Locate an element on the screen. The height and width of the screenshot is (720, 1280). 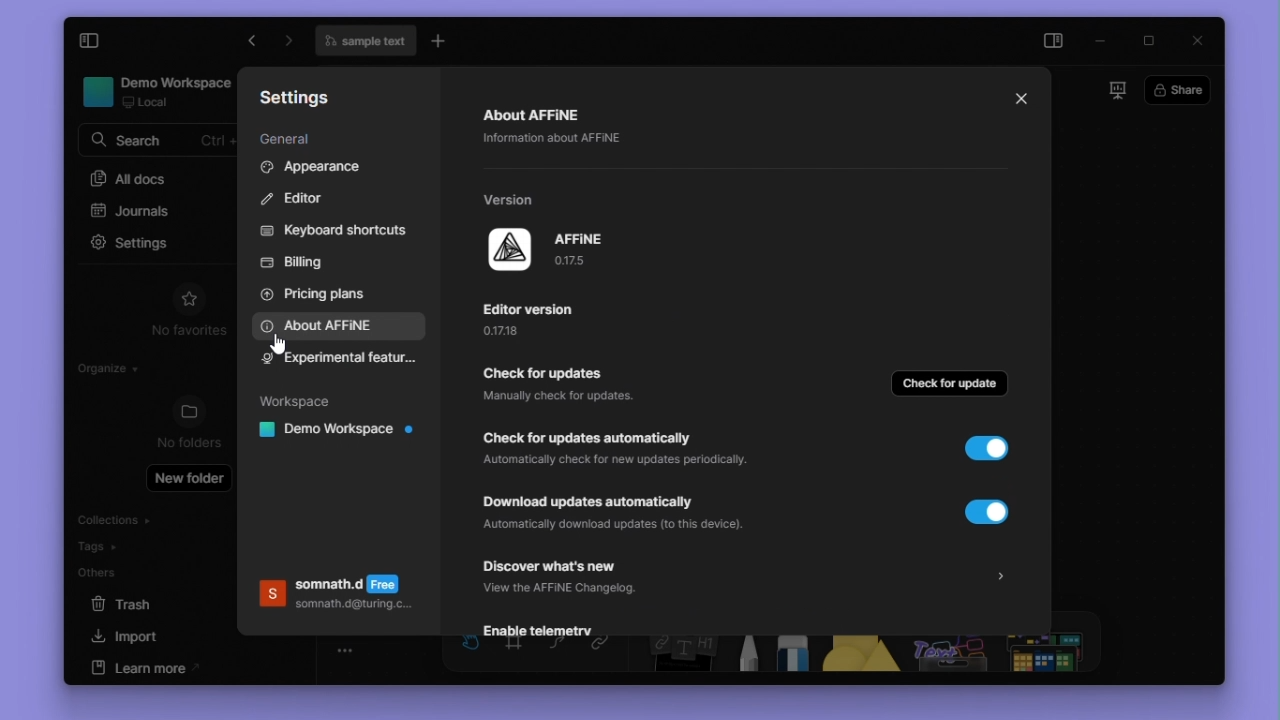
side panel is located at coordinates (1057, 40).